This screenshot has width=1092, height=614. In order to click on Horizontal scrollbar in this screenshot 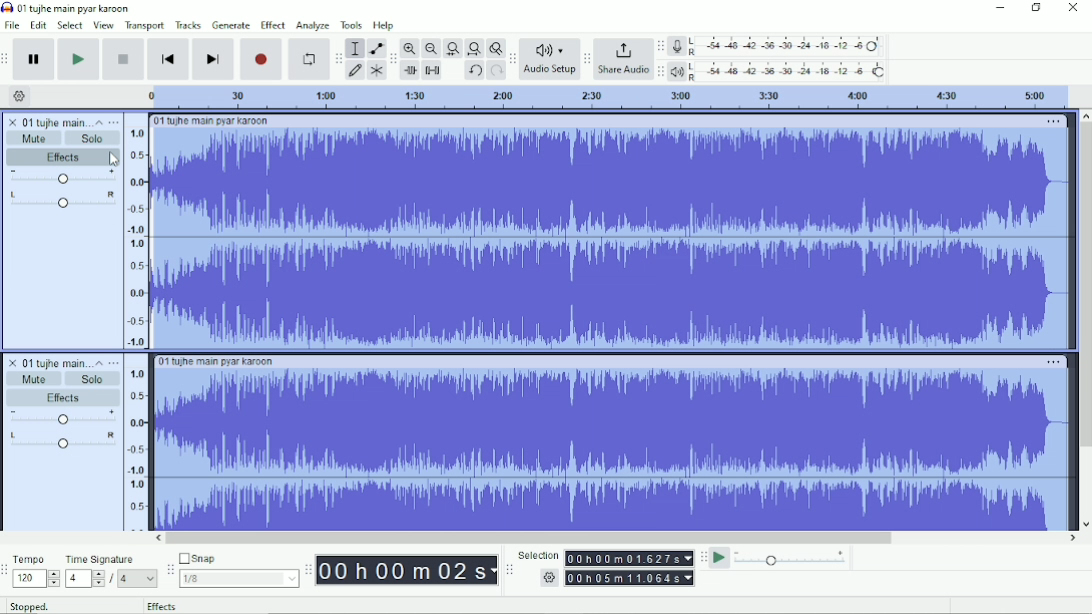, I will do `click(616, 538)`.